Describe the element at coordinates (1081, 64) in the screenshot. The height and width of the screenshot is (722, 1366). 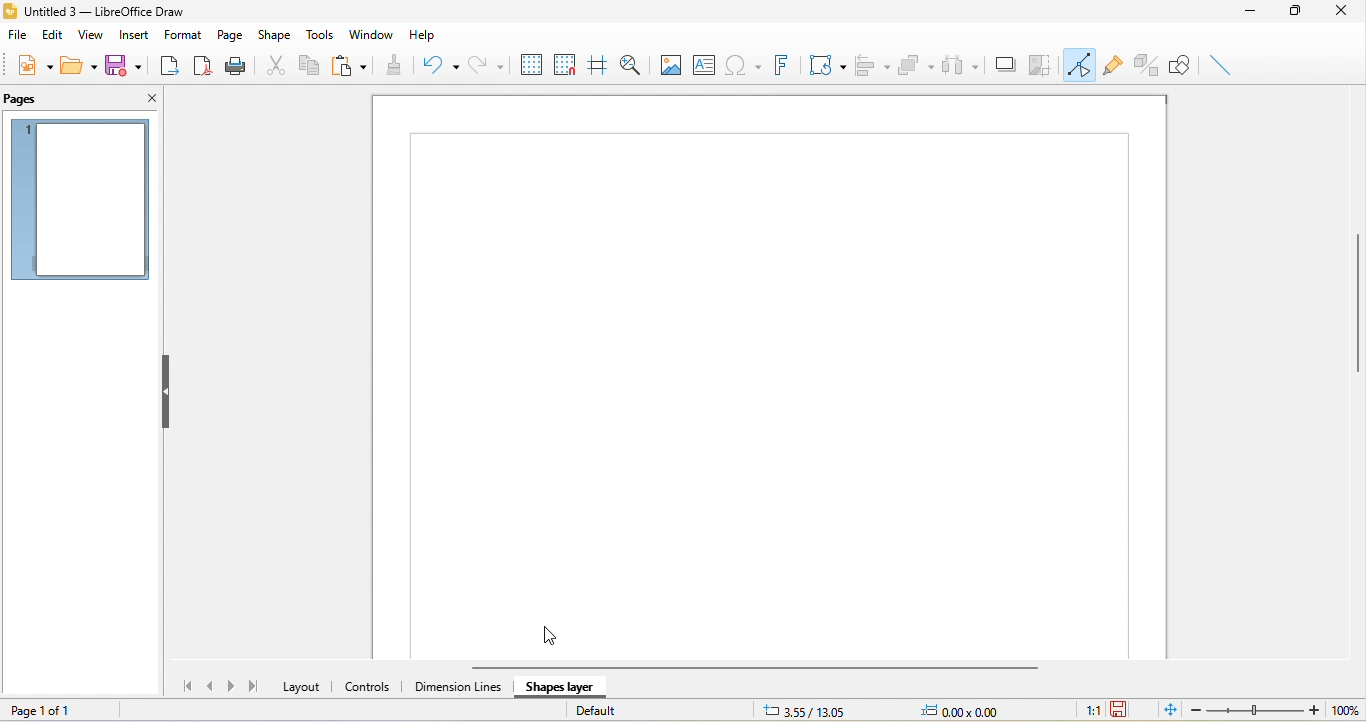
I see `toggle point edit mode` at that location.